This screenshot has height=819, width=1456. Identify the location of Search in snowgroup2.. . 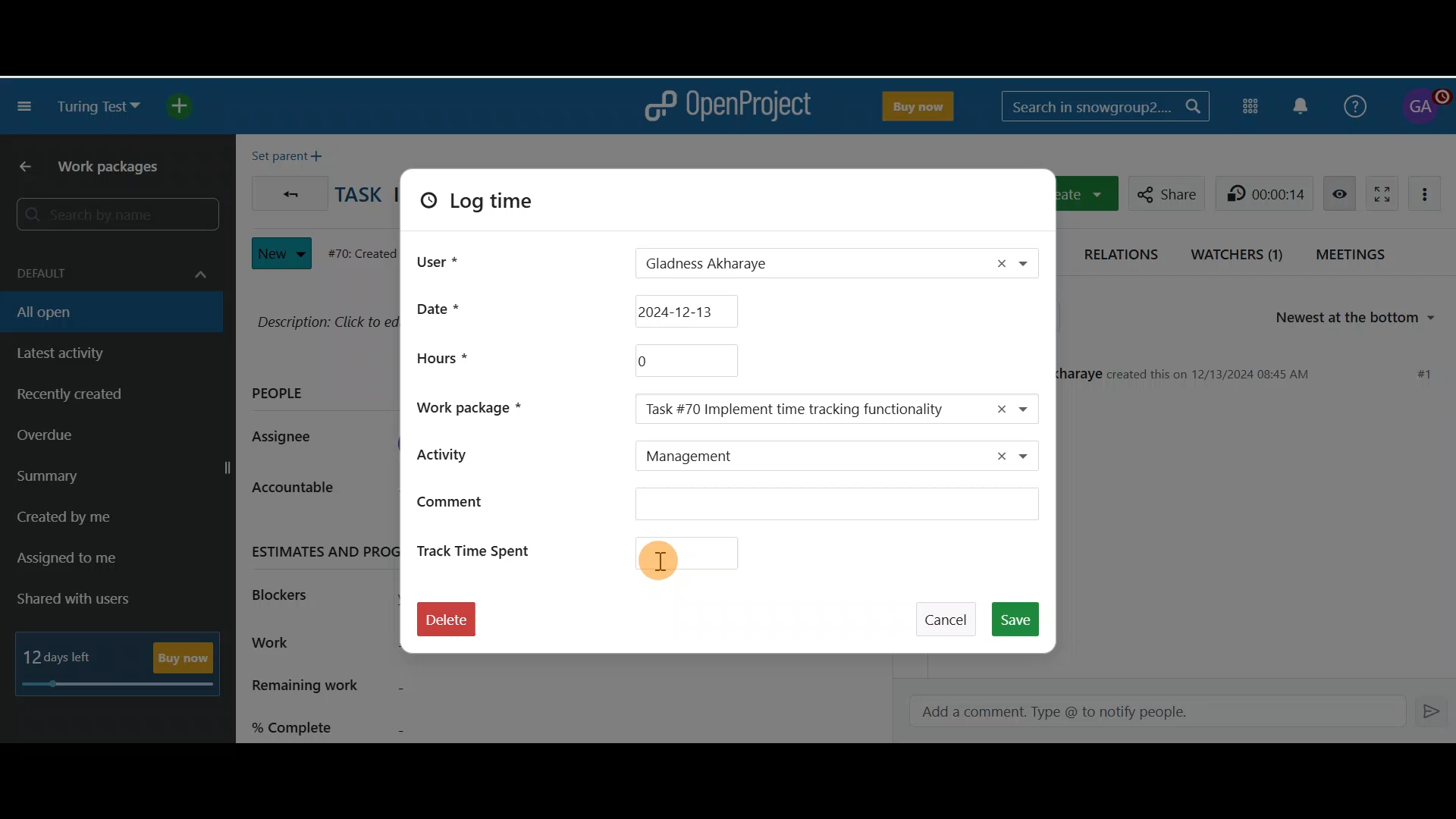
(1103, 106).